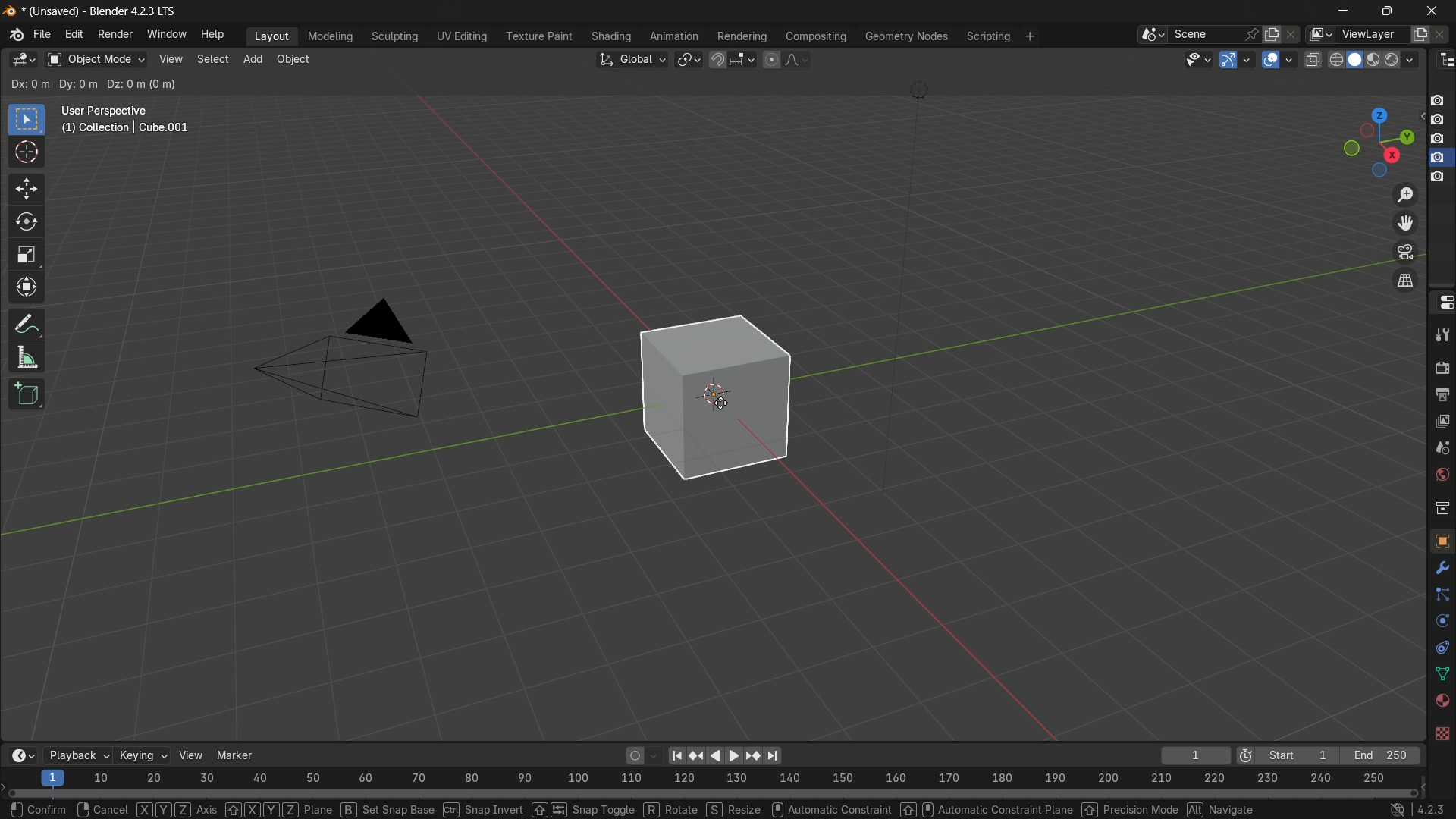 The height and width of the screenshot is (819, 1456). Describe the element at coordinates (999, 811) in the screenshot. I see `Automatic Constraint Pane` at that location.